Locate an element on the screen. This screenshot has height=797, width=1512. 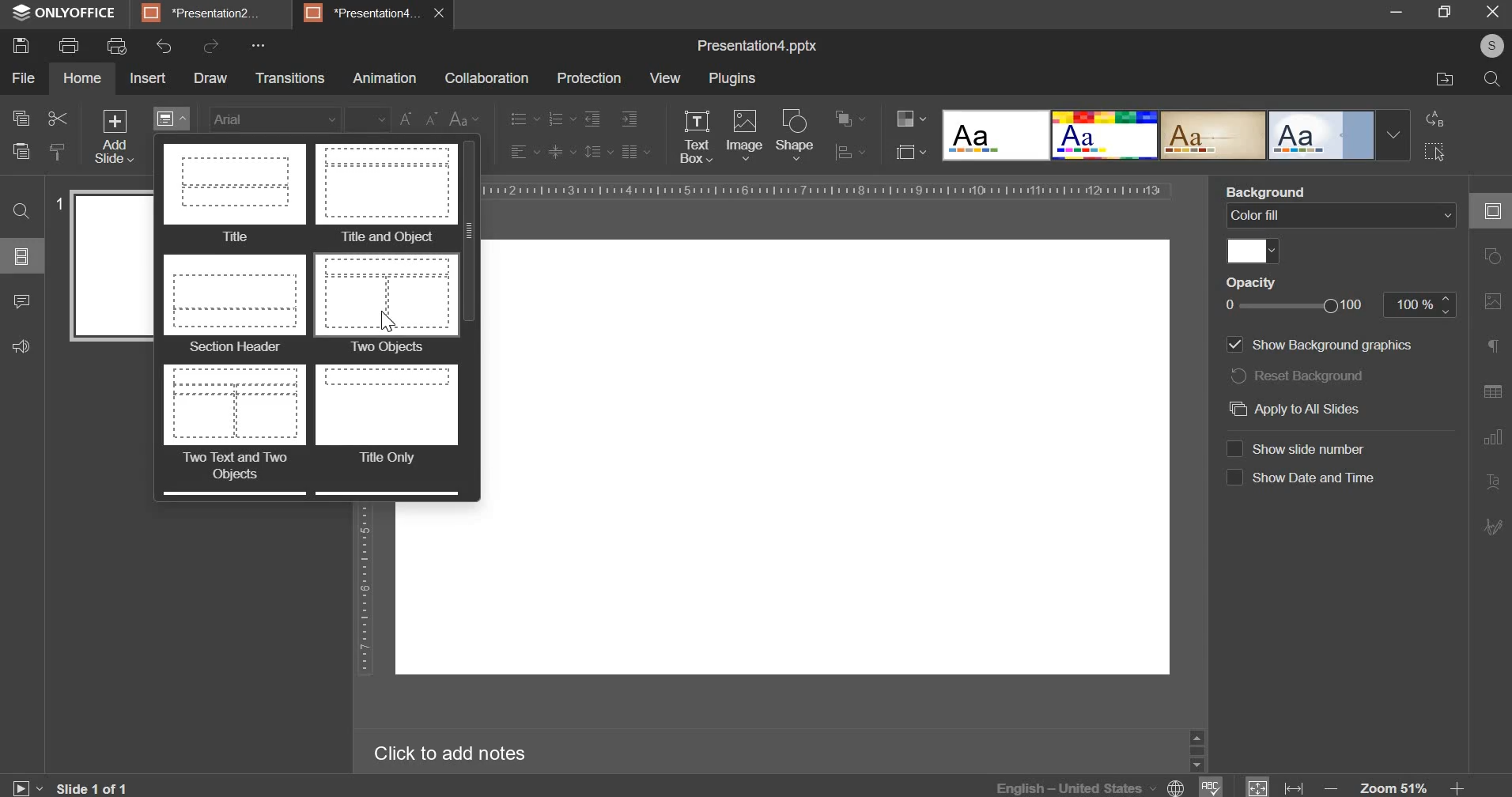
increase indent is located at coordinates (629, 119).